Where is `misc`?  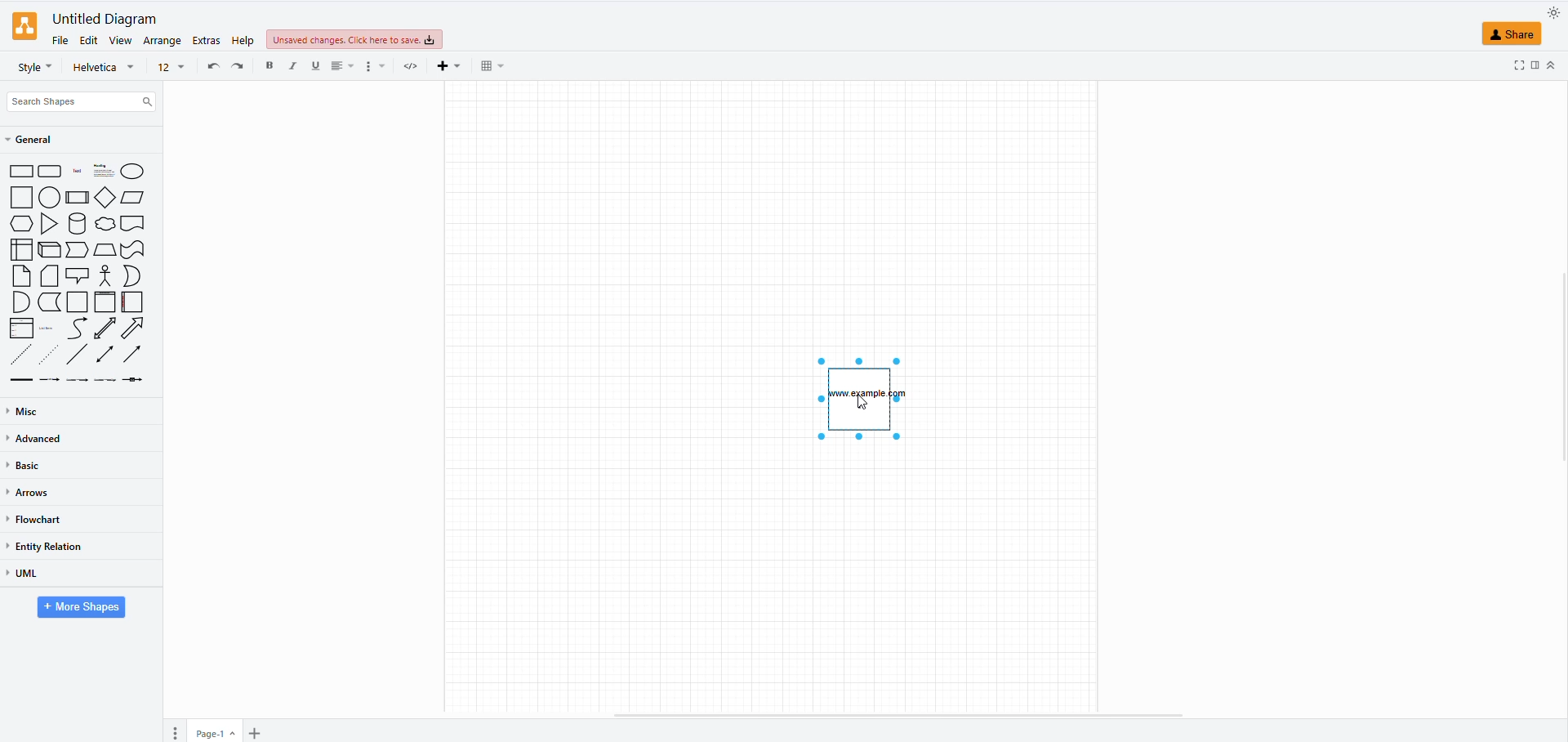 misc is located at coordinates (26, 411).